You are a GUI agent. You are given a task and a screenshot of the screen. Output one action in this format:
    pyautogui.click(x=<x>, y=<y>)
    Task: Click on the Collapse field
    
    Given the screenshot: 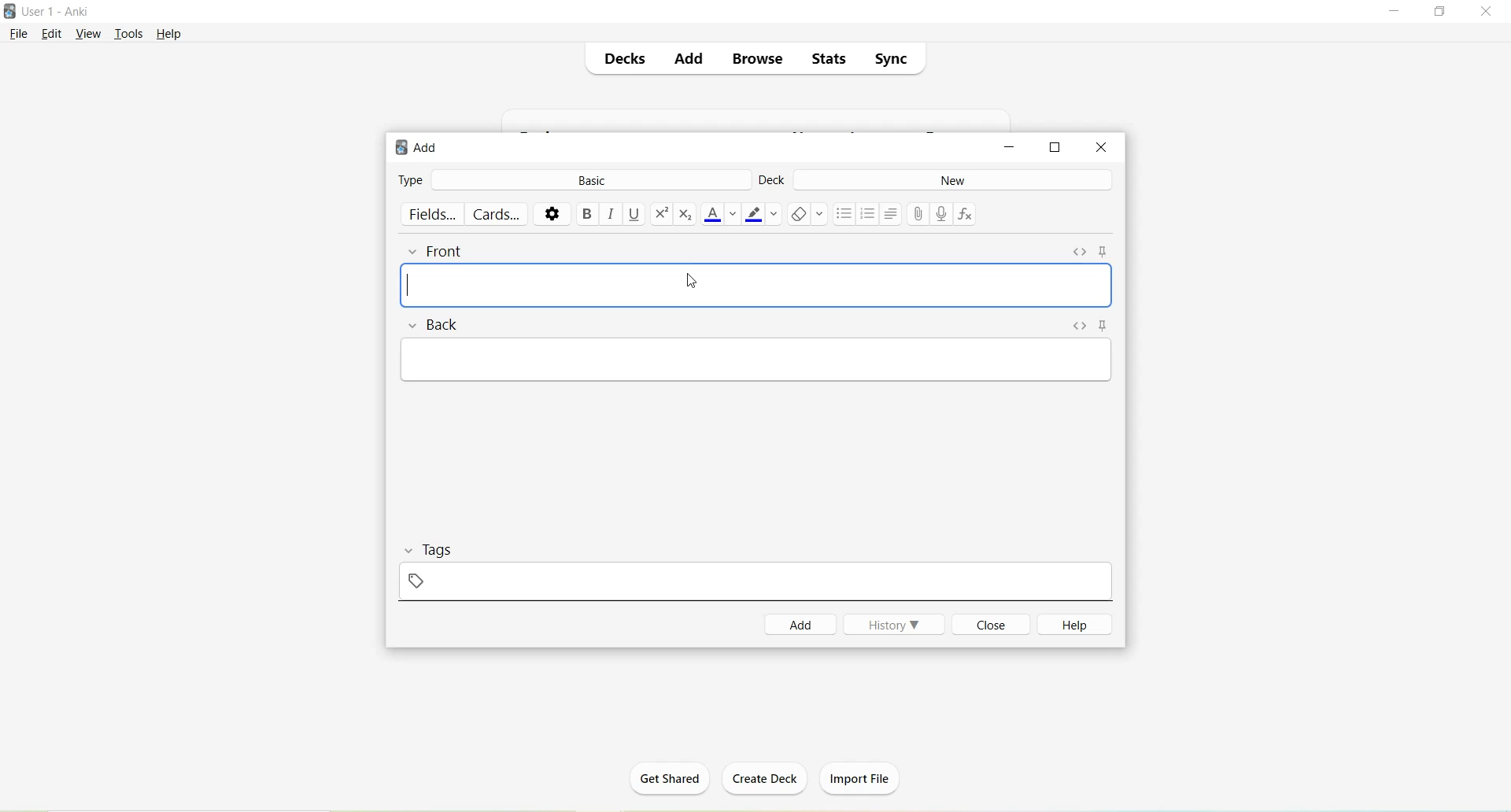 What is the action you would take?
    pyautogui.click(x=415, y=326)
    